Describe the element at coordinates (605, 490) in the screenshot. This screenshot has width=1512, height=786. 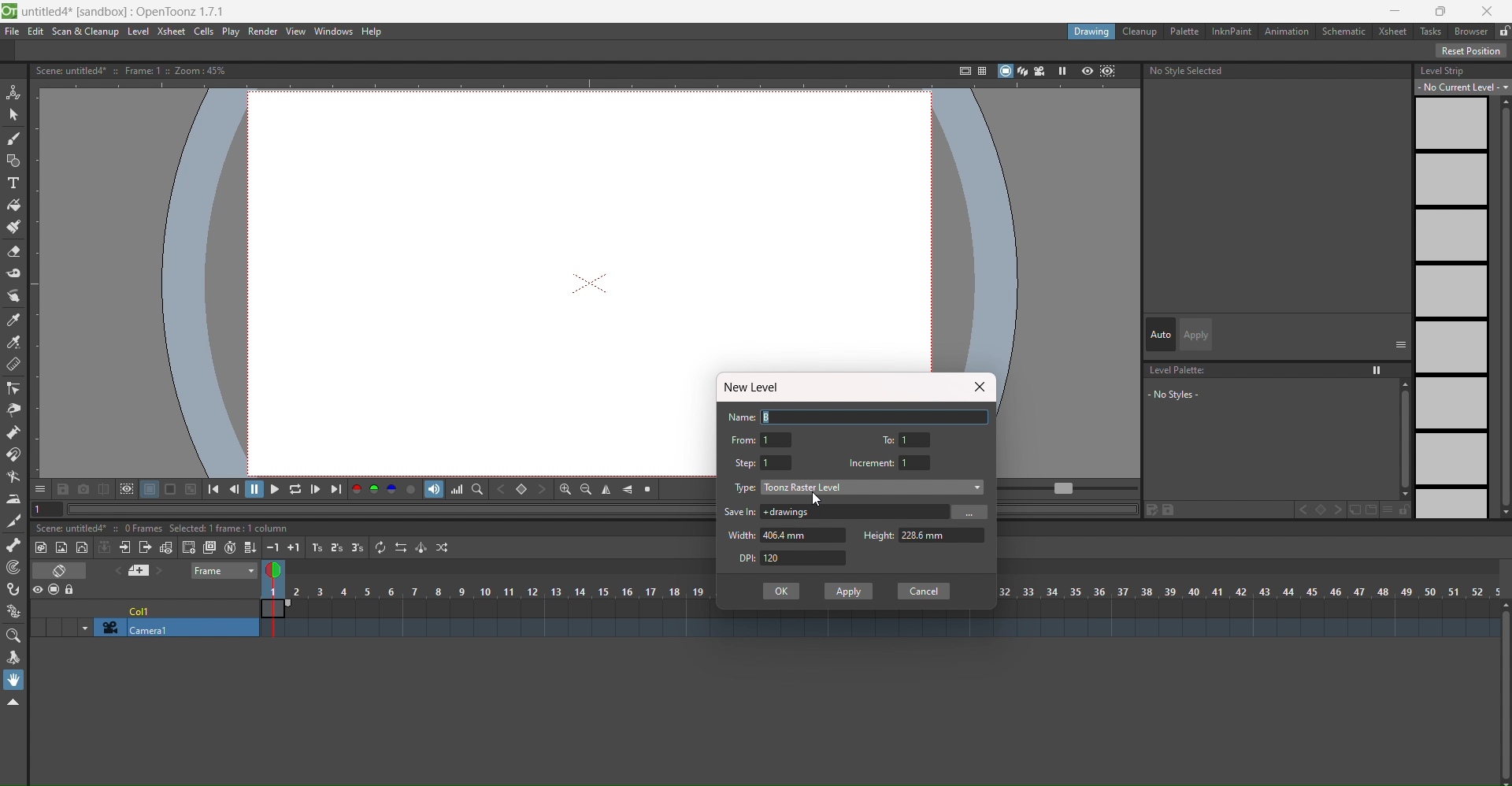
I see `` at that location.